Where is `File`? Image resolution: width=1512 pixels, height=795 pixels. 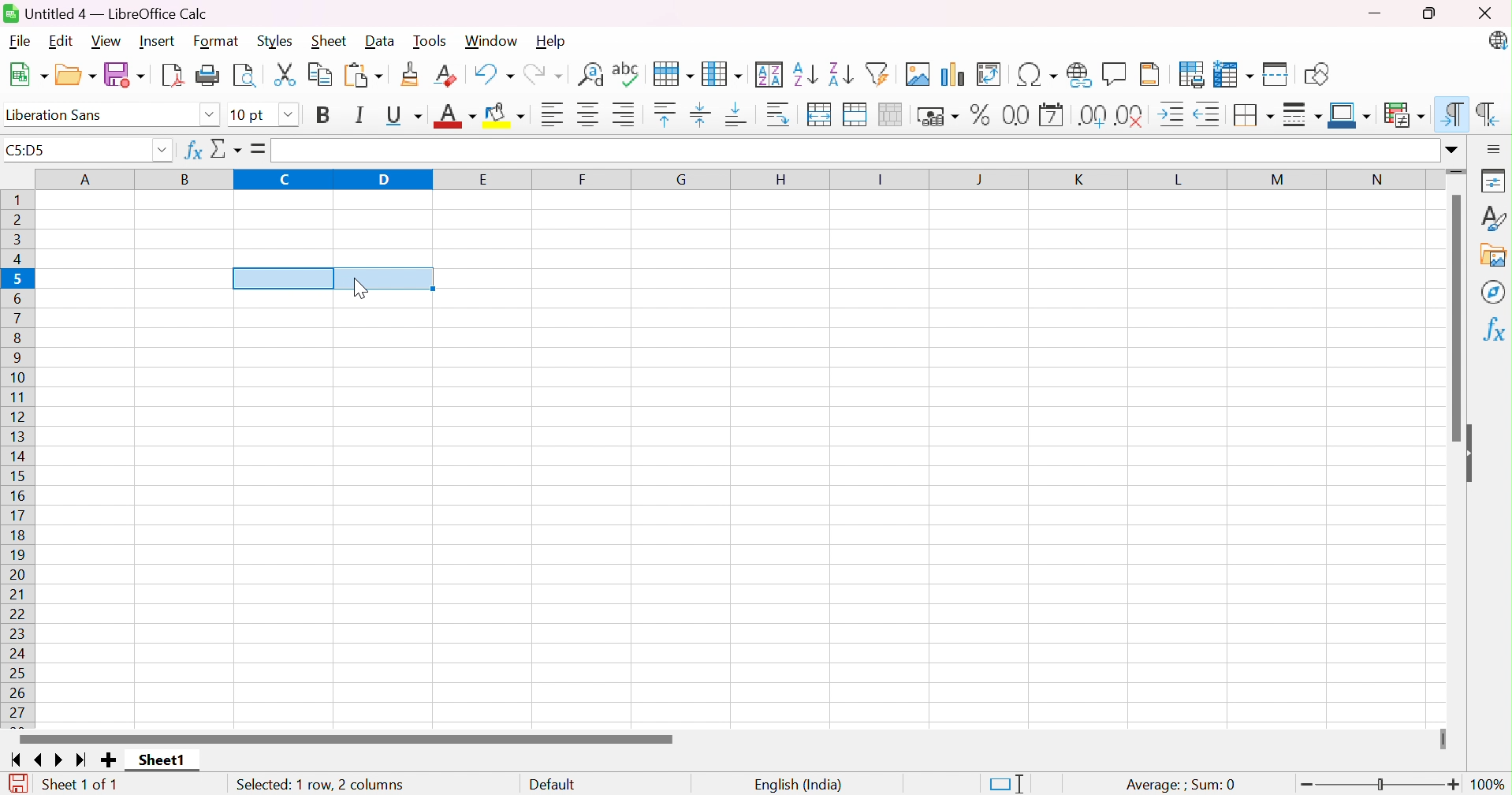 File is located at coordinates (18, 42).